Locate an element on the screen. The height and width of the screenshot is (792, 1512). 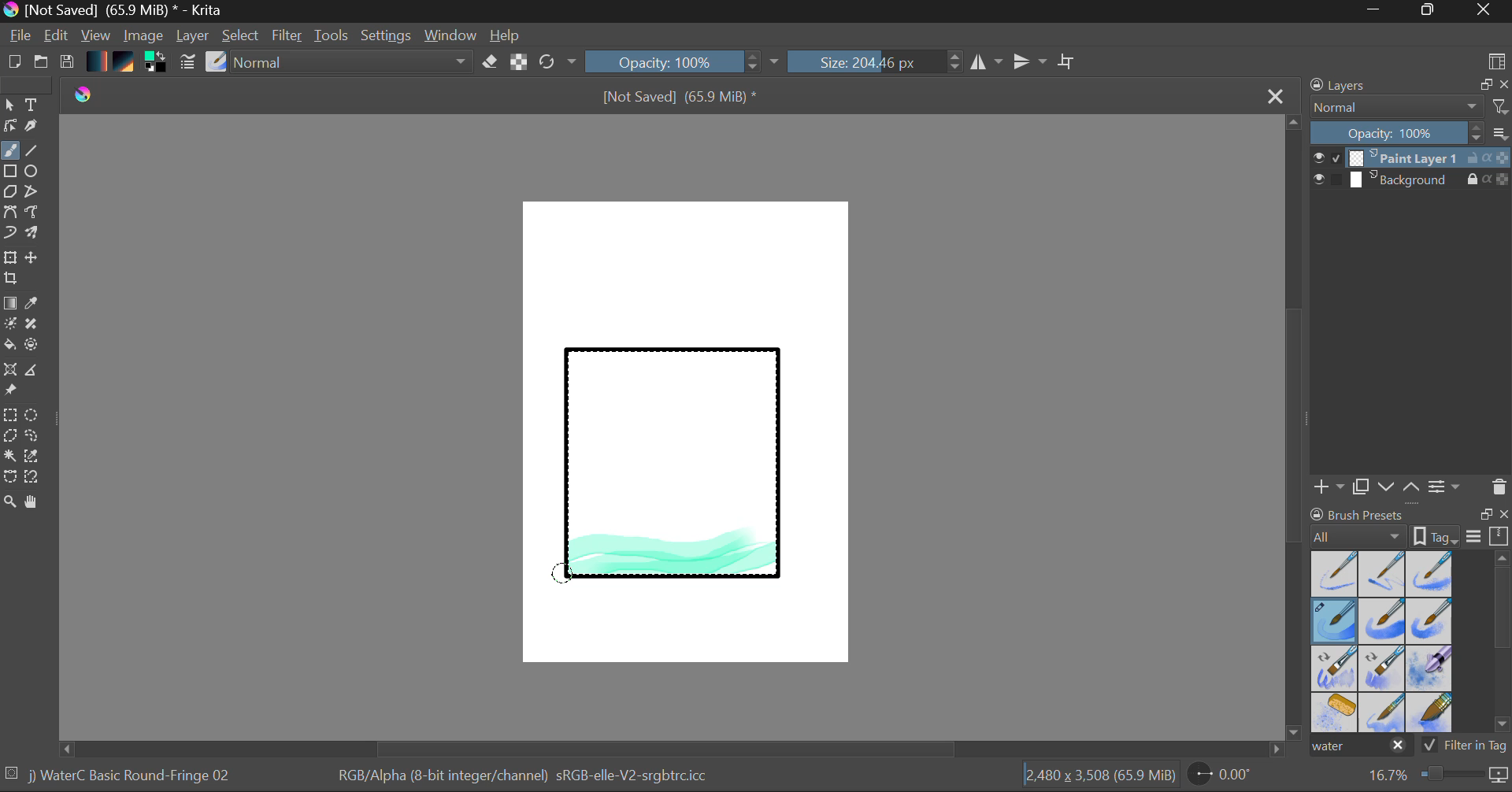
Fill is located at coordinates (9, 347).